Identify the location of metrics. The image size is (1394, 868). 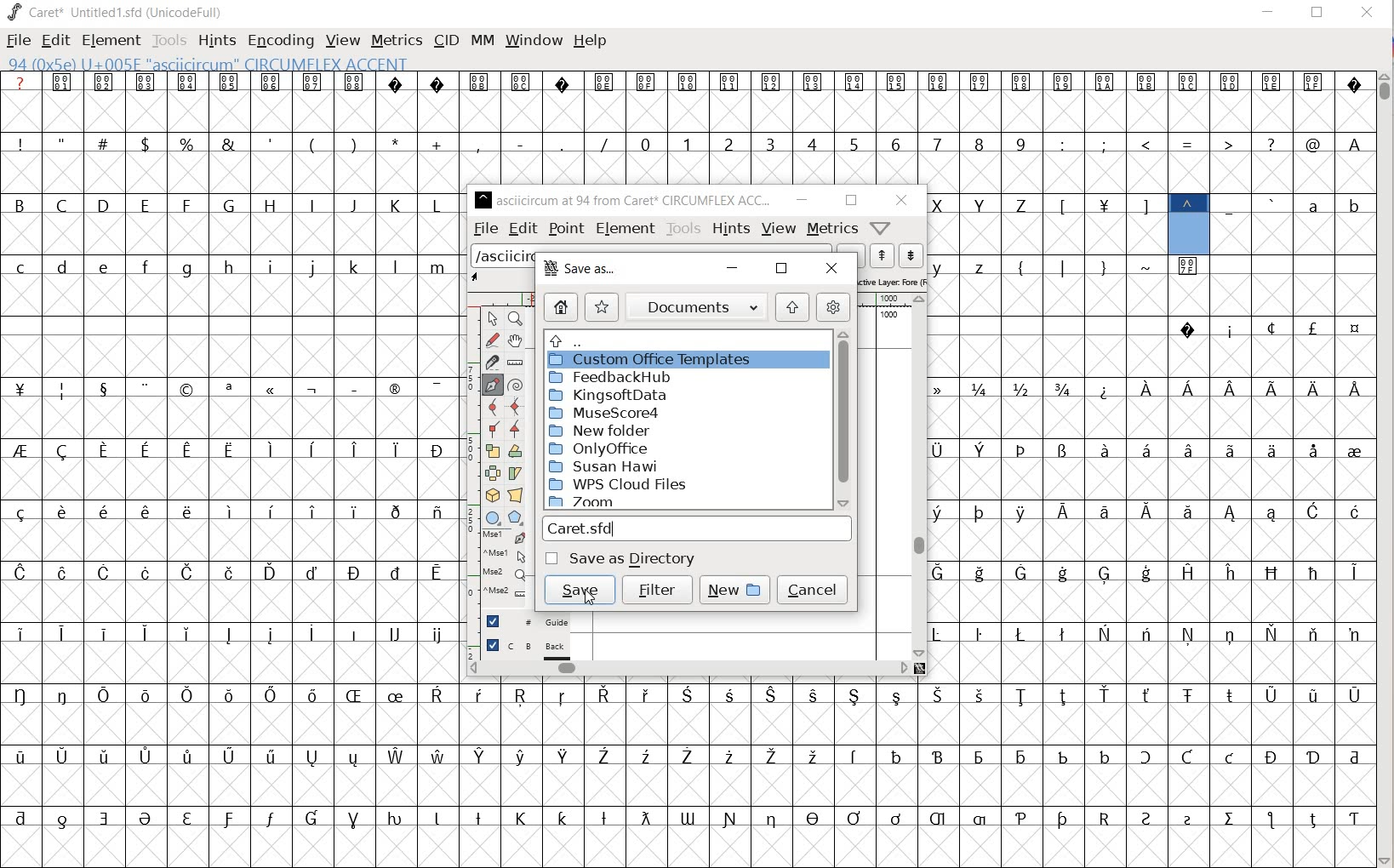
(833, 229).